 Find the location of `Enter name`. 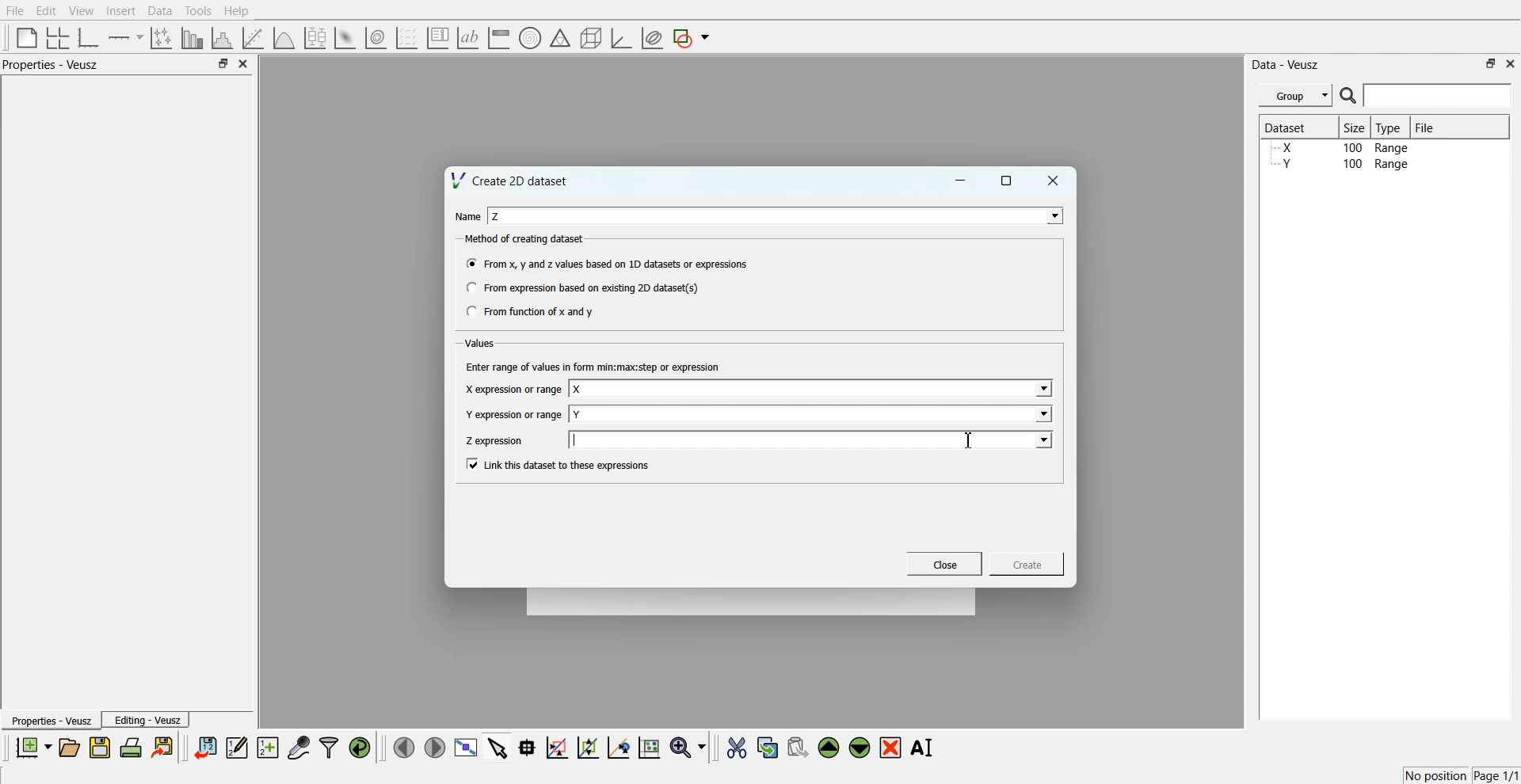

Enter name is located at coordinates (812, 390).